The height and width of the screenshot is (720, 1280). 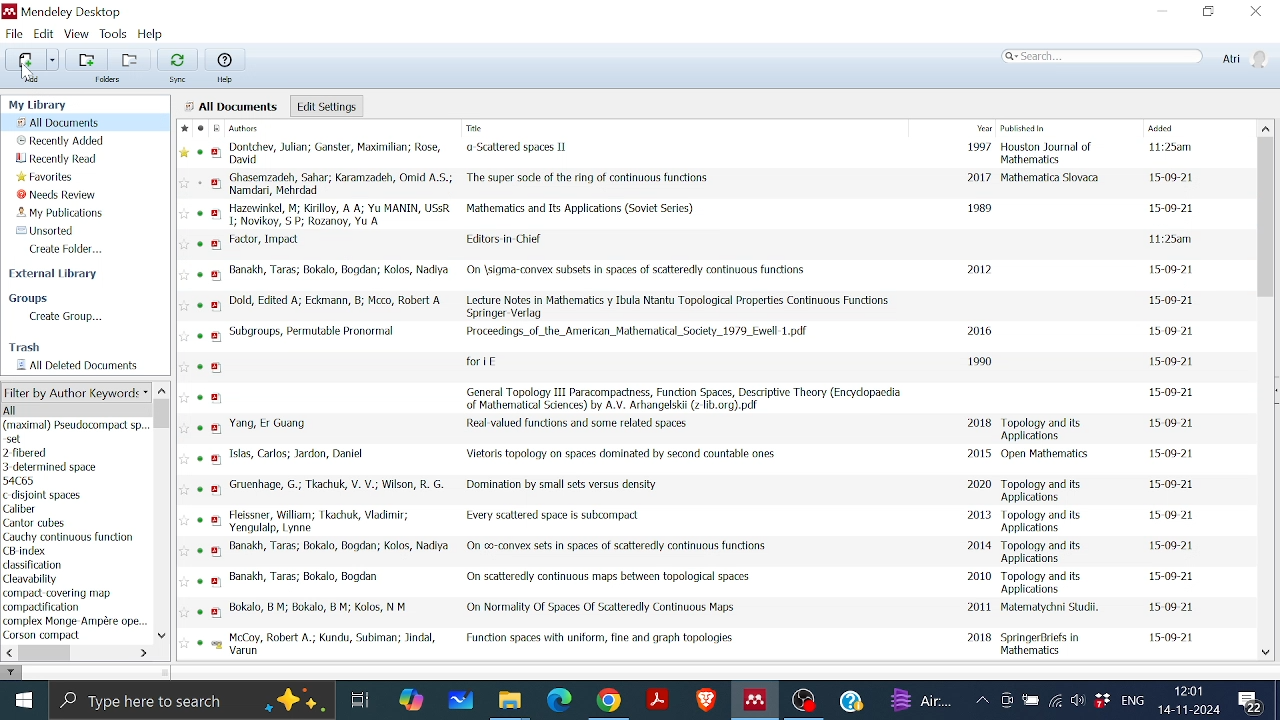 I want to click on View, so click(x=77, y=34).